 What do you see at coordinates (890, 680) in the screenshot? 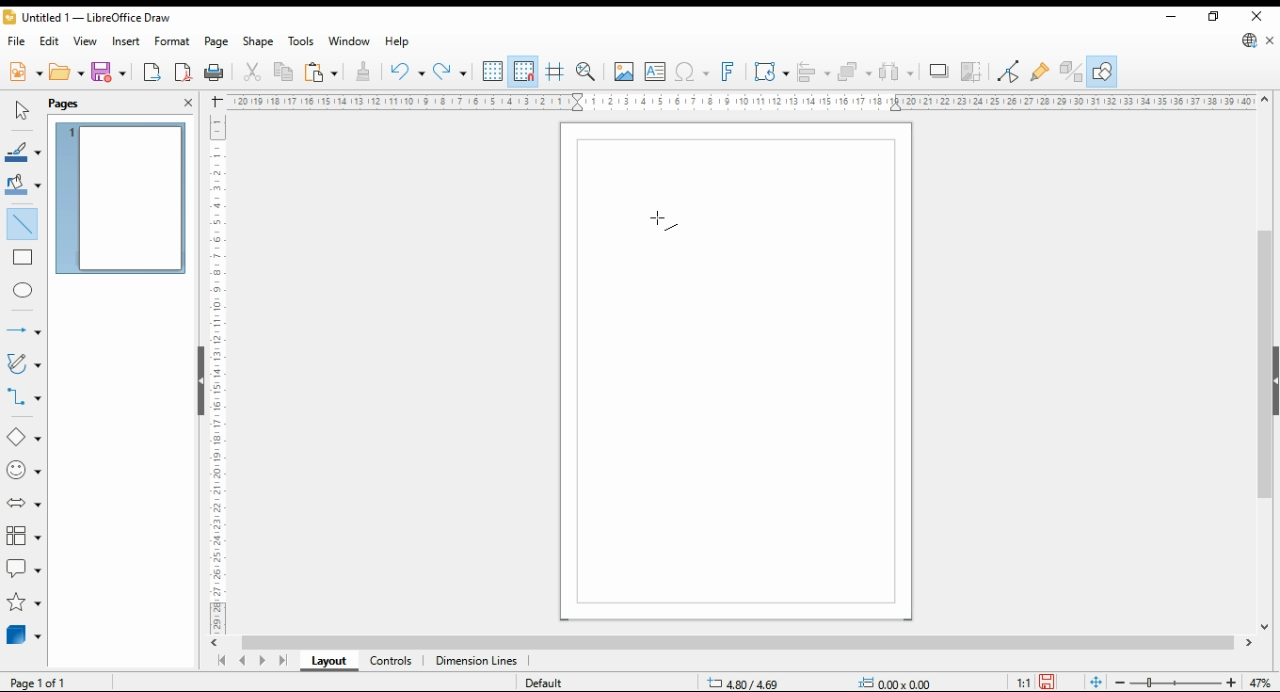
I see `` at bounding box center [890, 680].